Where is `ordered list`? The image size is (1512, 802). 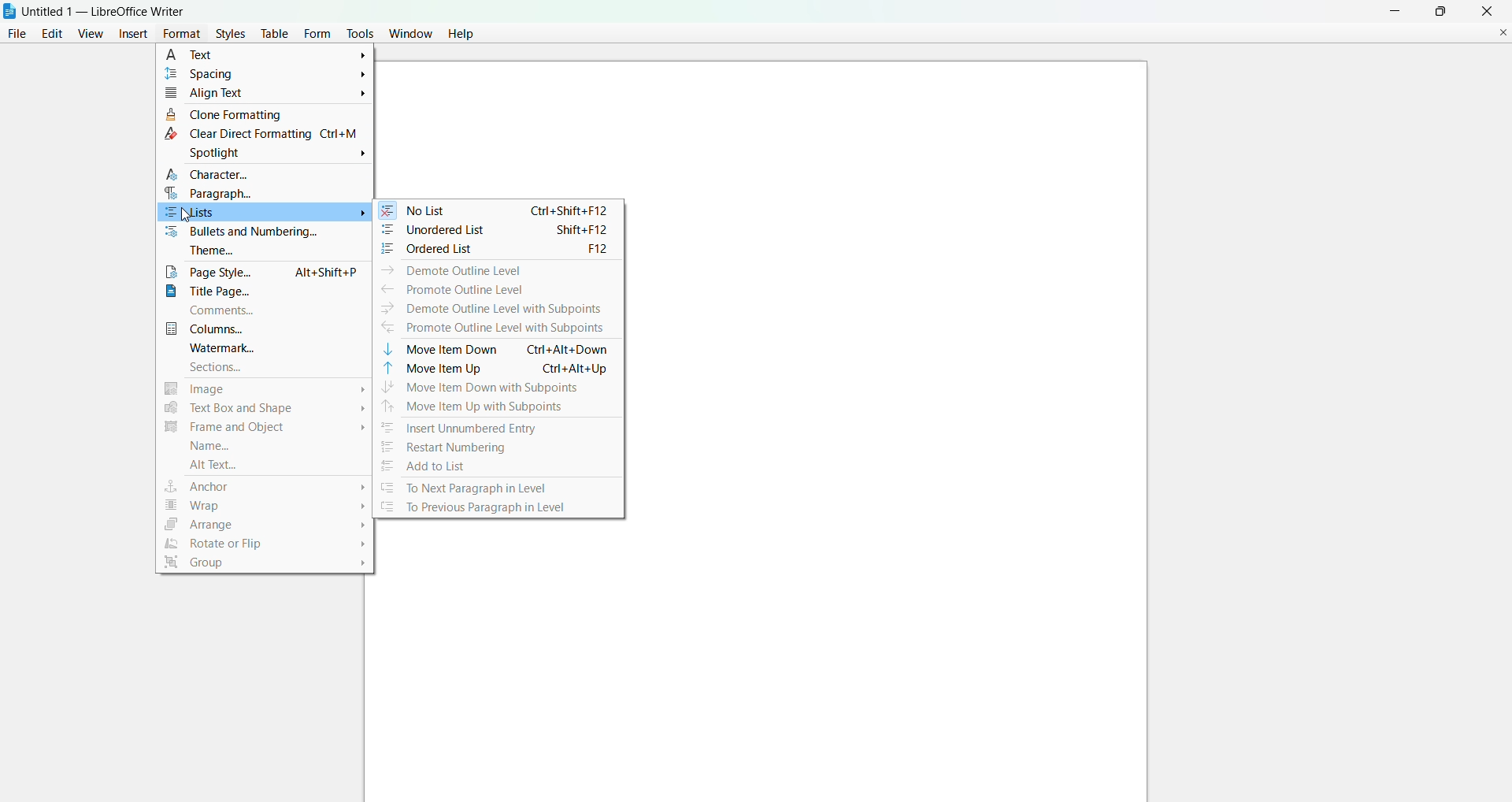 ordered list is located at coordinates (497, 251).